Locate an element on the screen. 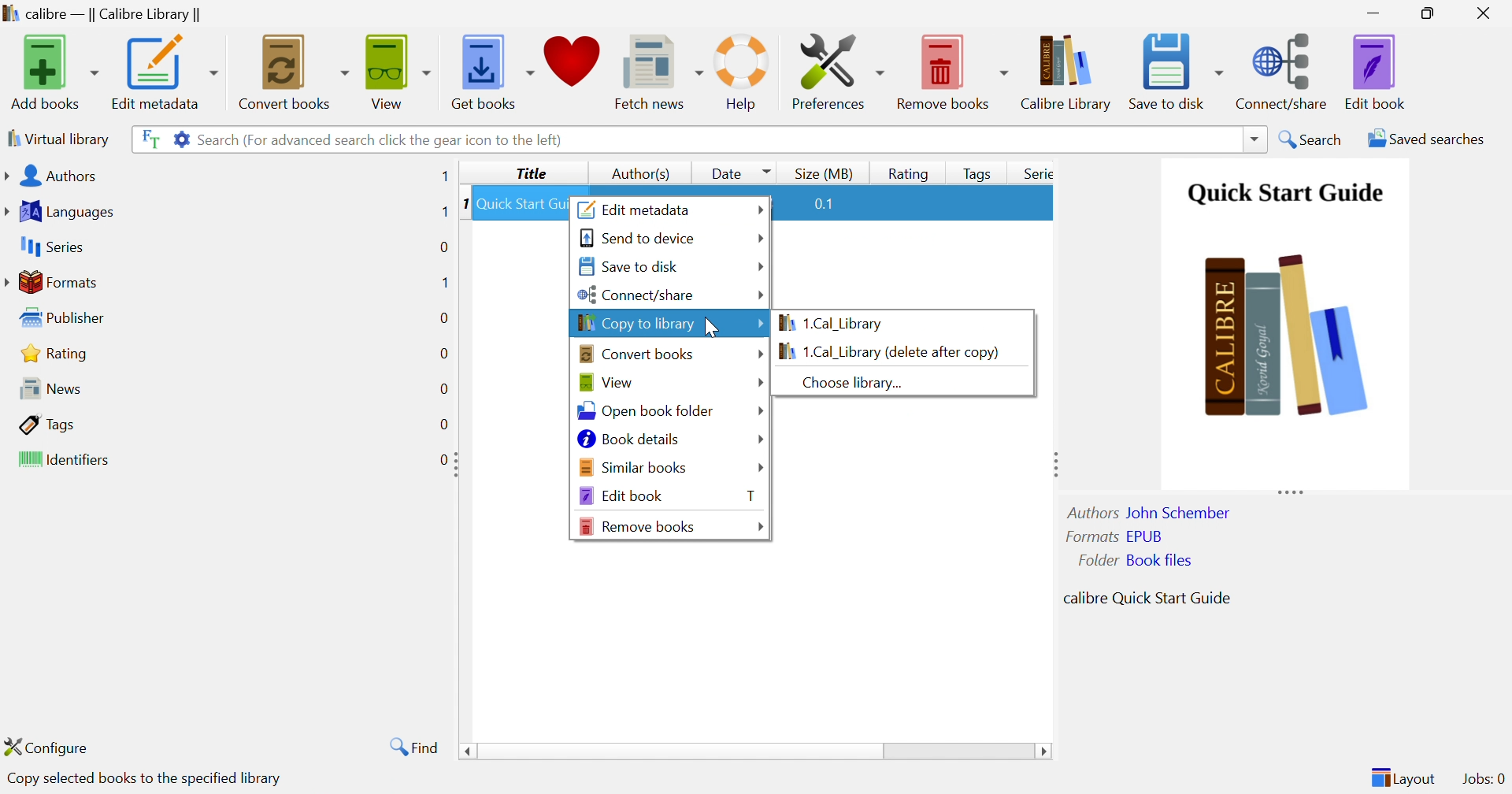  Advanced search is located at coordinates (177, 139).